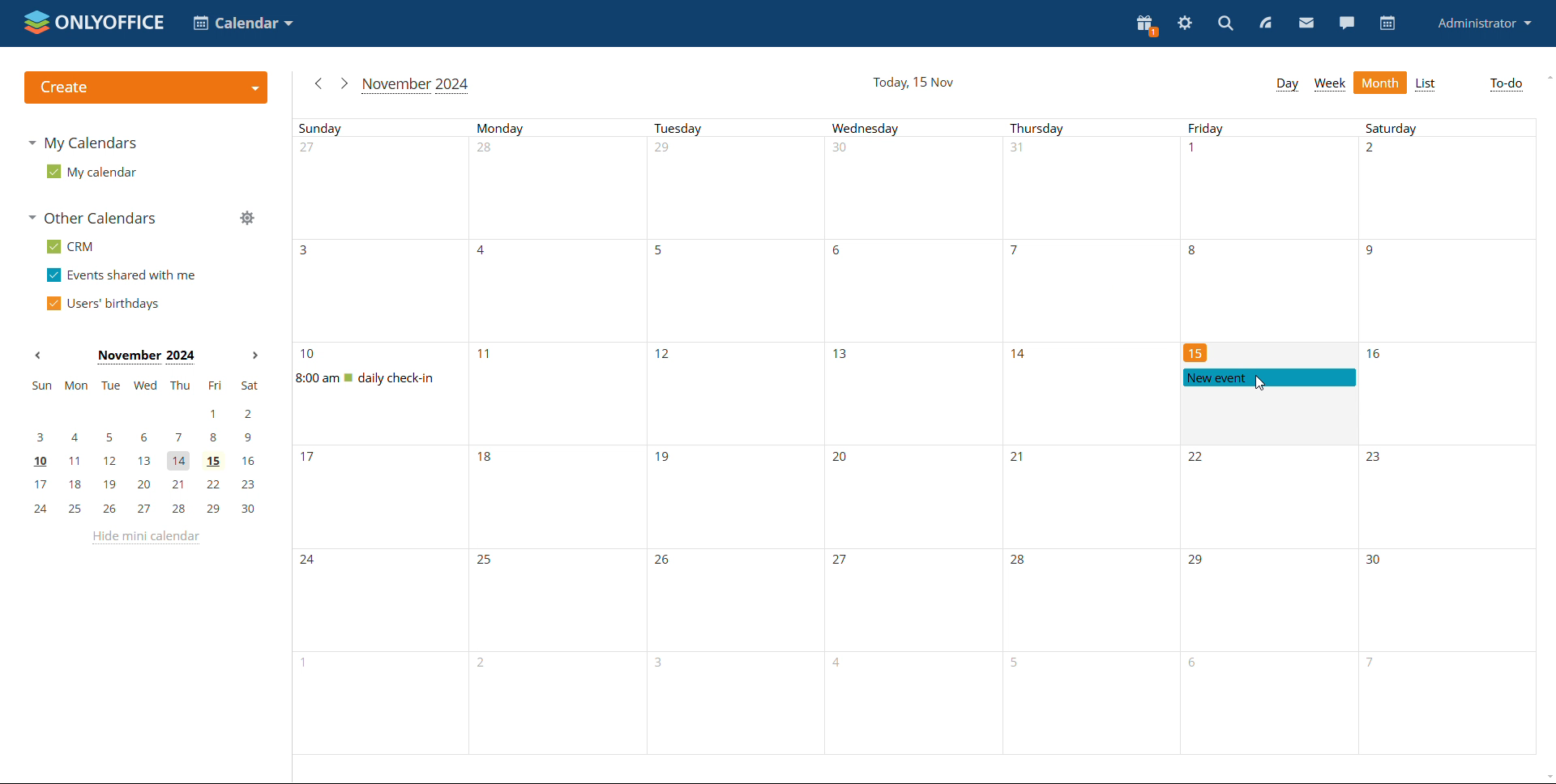 Image resolution: width=1556 pixels, height=784 pixels. What do you see at coordinates (1372, 560) in the screenshot?
I see `Number` at bounding box center [1372, 560].